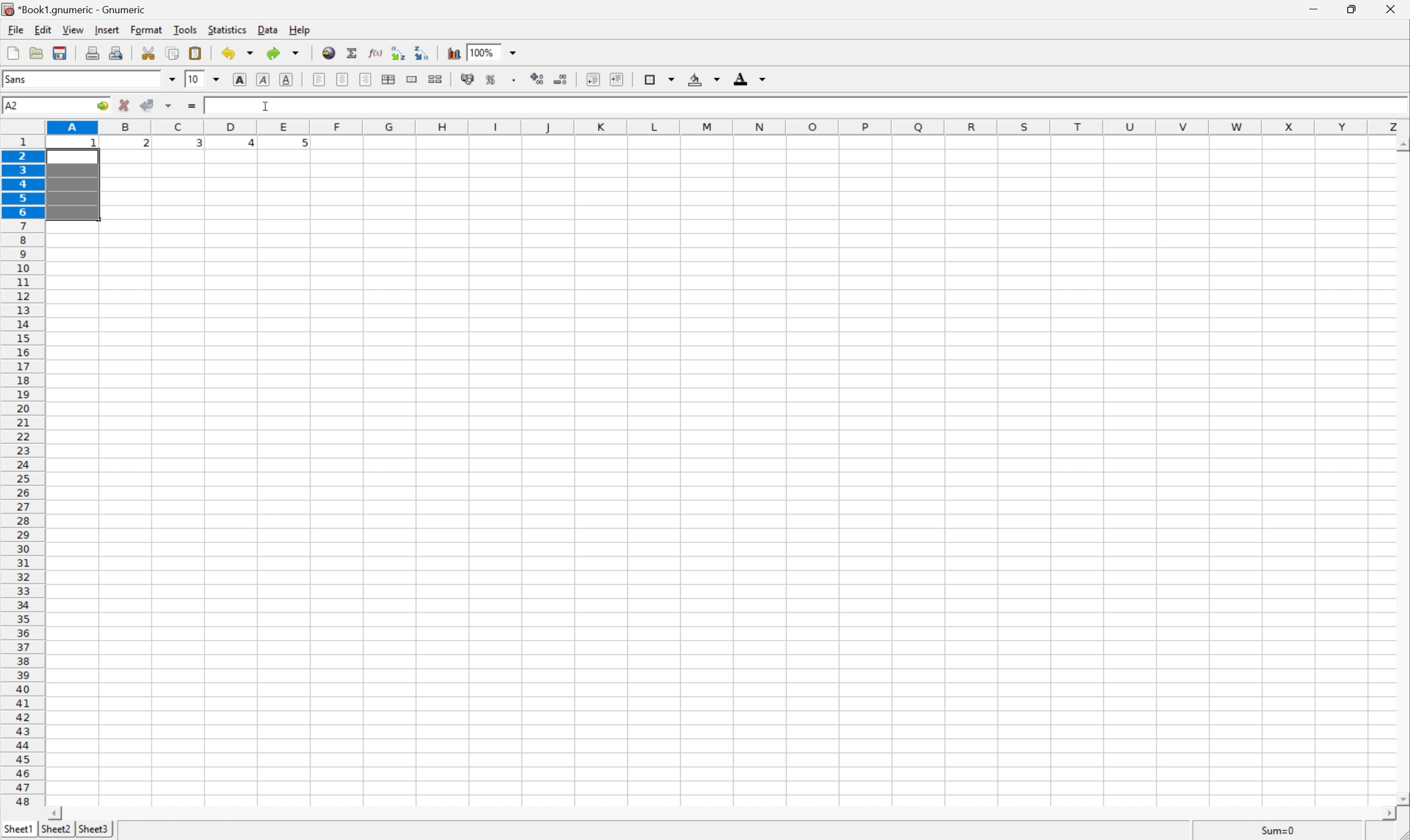 The width and height of the screenshot is (1410, 840). Describe the element at coordinates (354, 53) in the screenshot. I see `sum in current cell` at that location.